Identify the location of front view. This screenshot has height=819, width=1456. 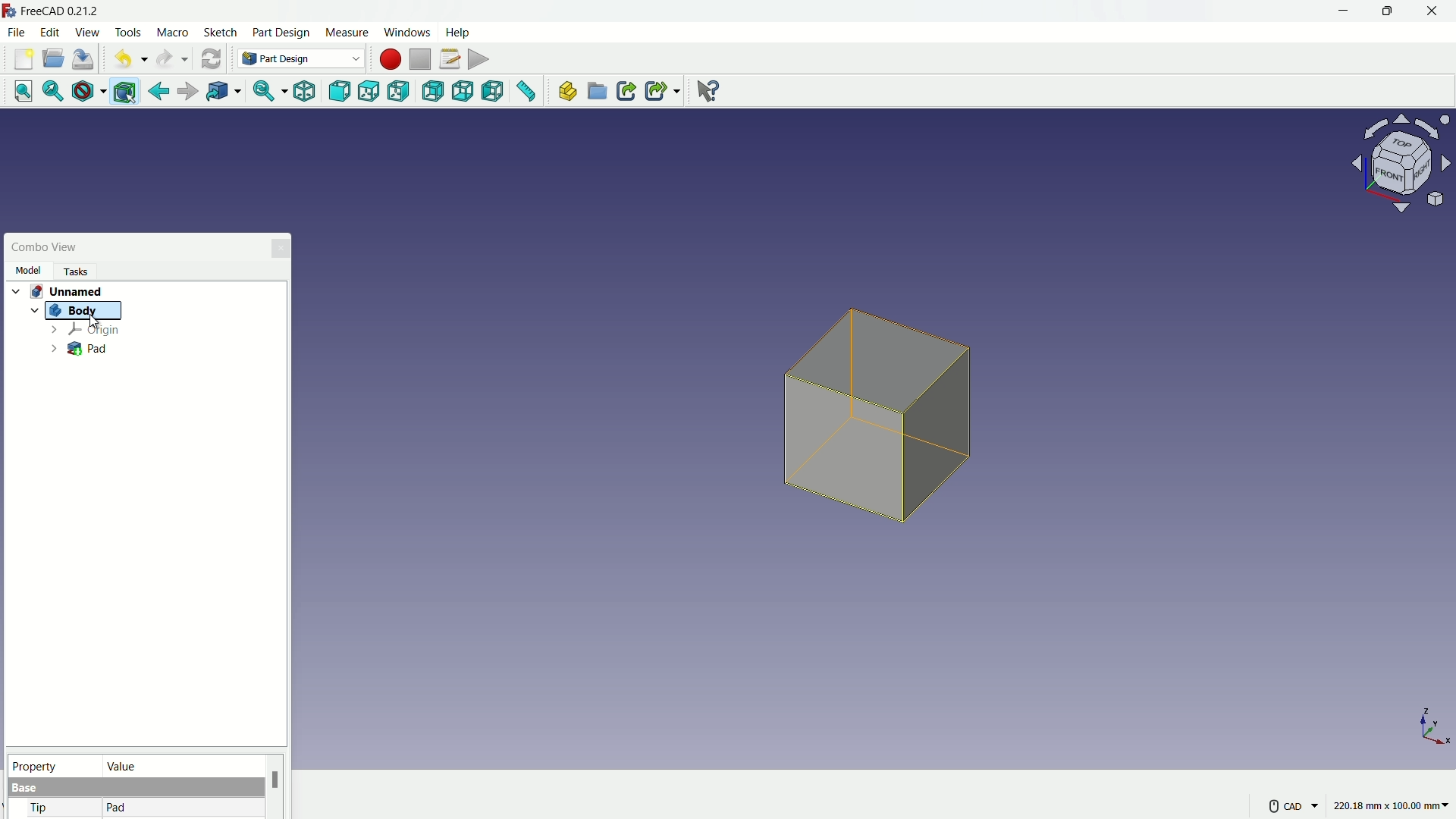
(341, 92).